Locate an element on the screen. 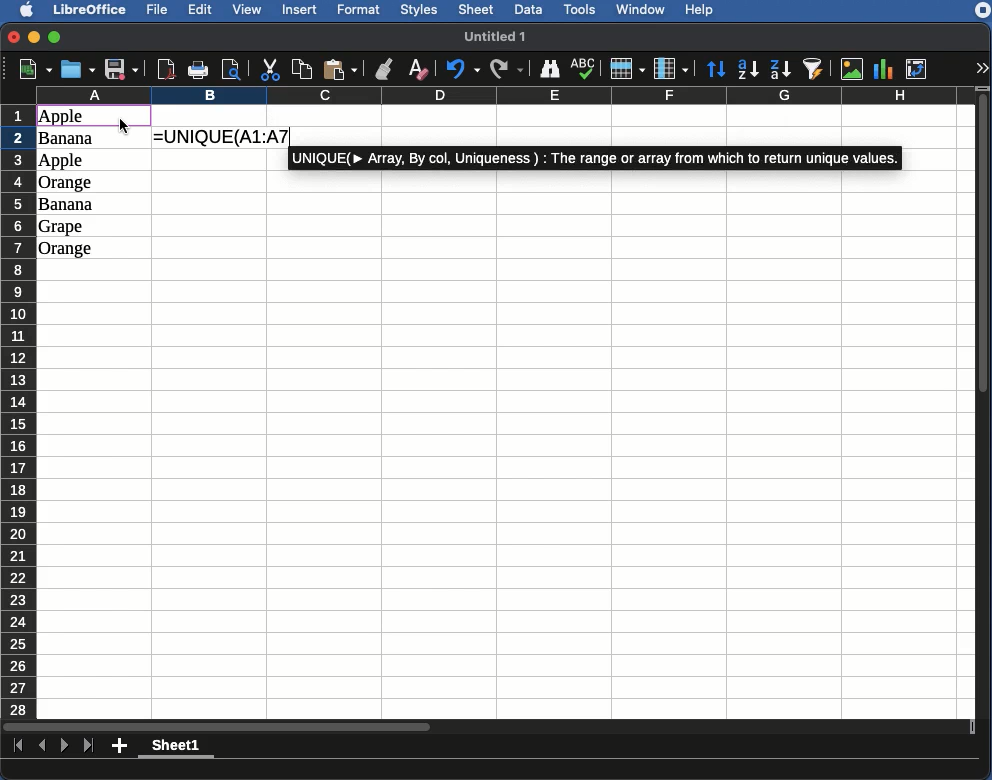 The width and height of the screenshot is (992, 780). untitled 1 is located at coordinates (503, 35).